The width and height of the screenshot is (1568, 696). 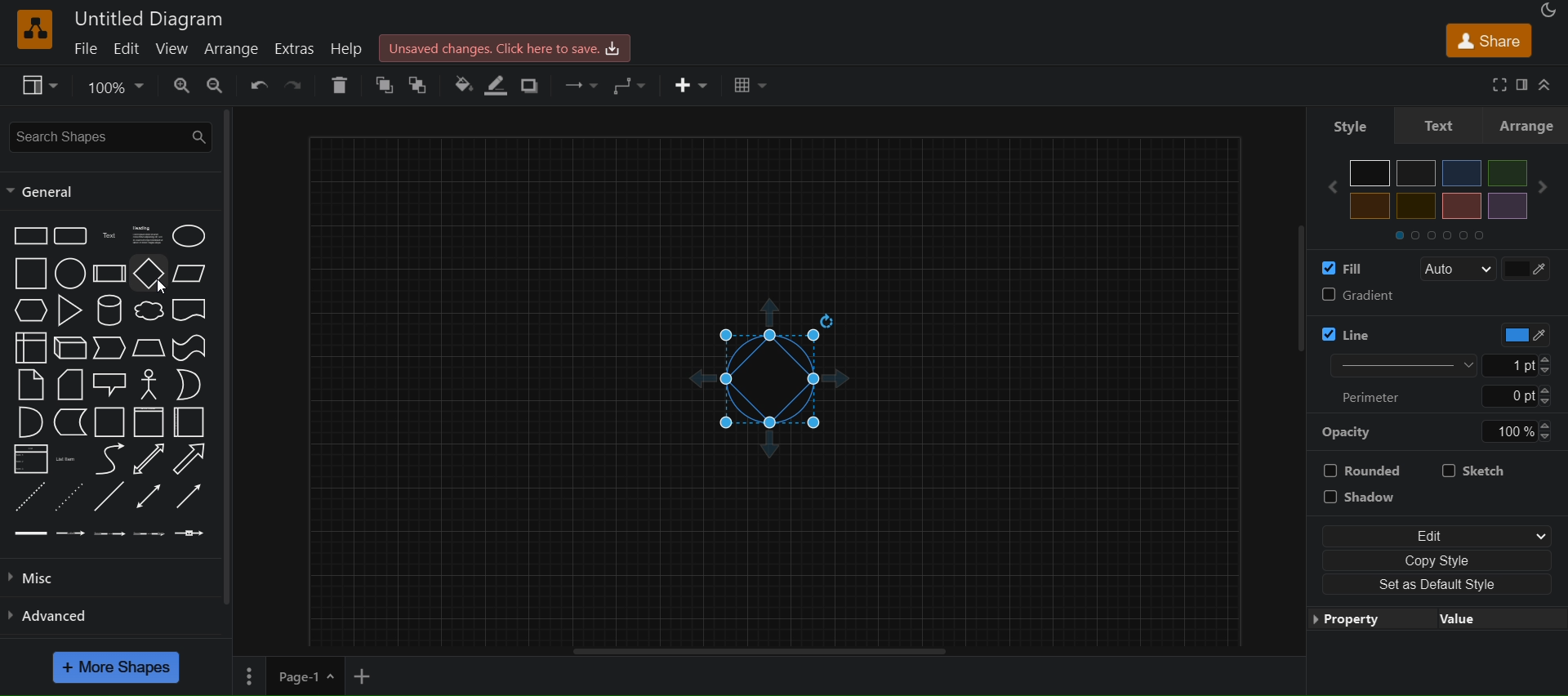 What do you see at coordinates (371, 677) in the screenshot?
I see `add new page` at bounding box center [371, 677].